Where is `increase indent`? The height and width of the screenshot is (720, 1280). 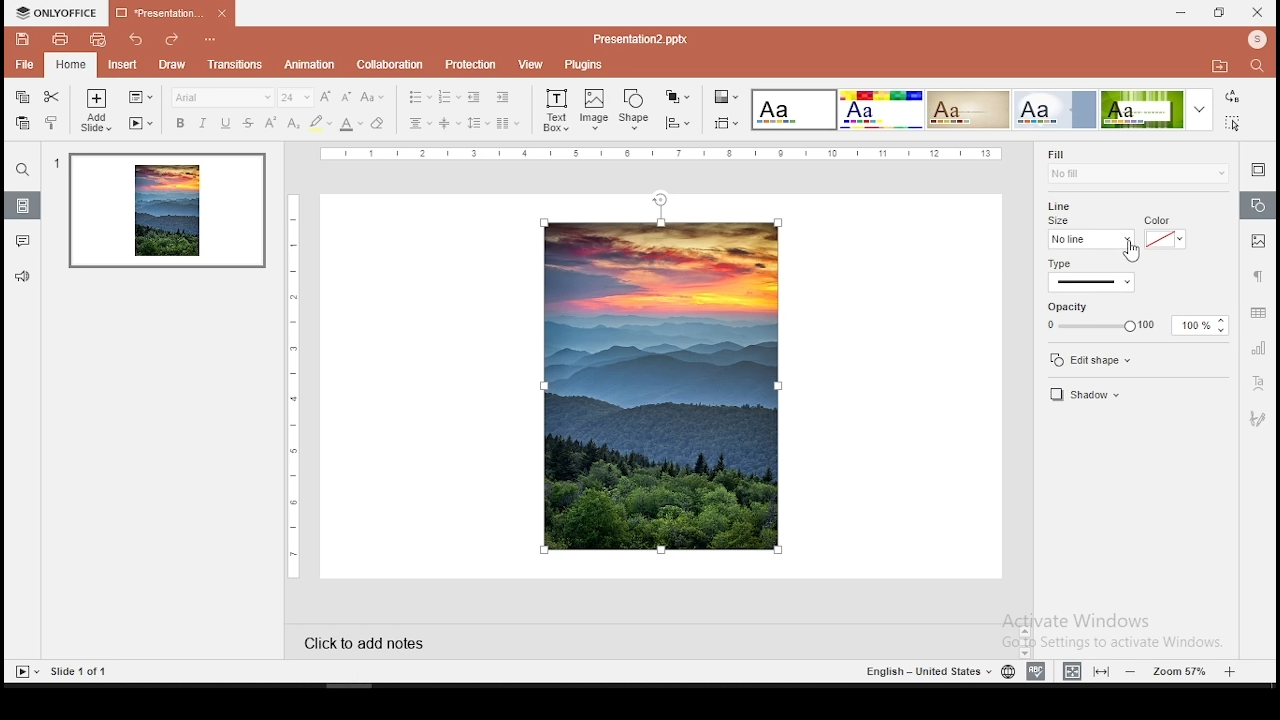
increase indent is located at coordinates (502, 96).